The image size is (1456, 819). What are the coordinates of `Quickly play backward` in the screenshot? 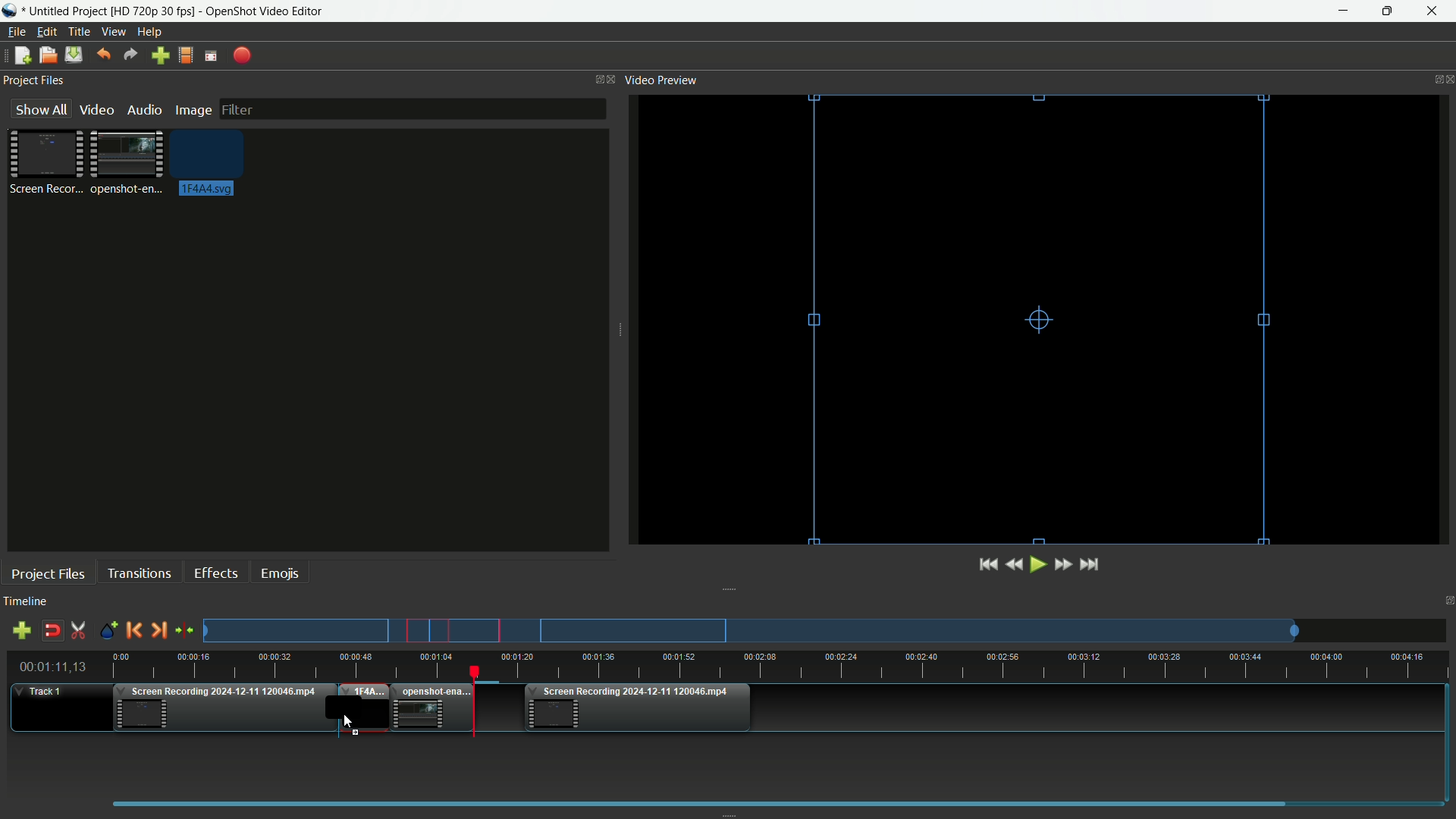 It's located at (1018, 564).